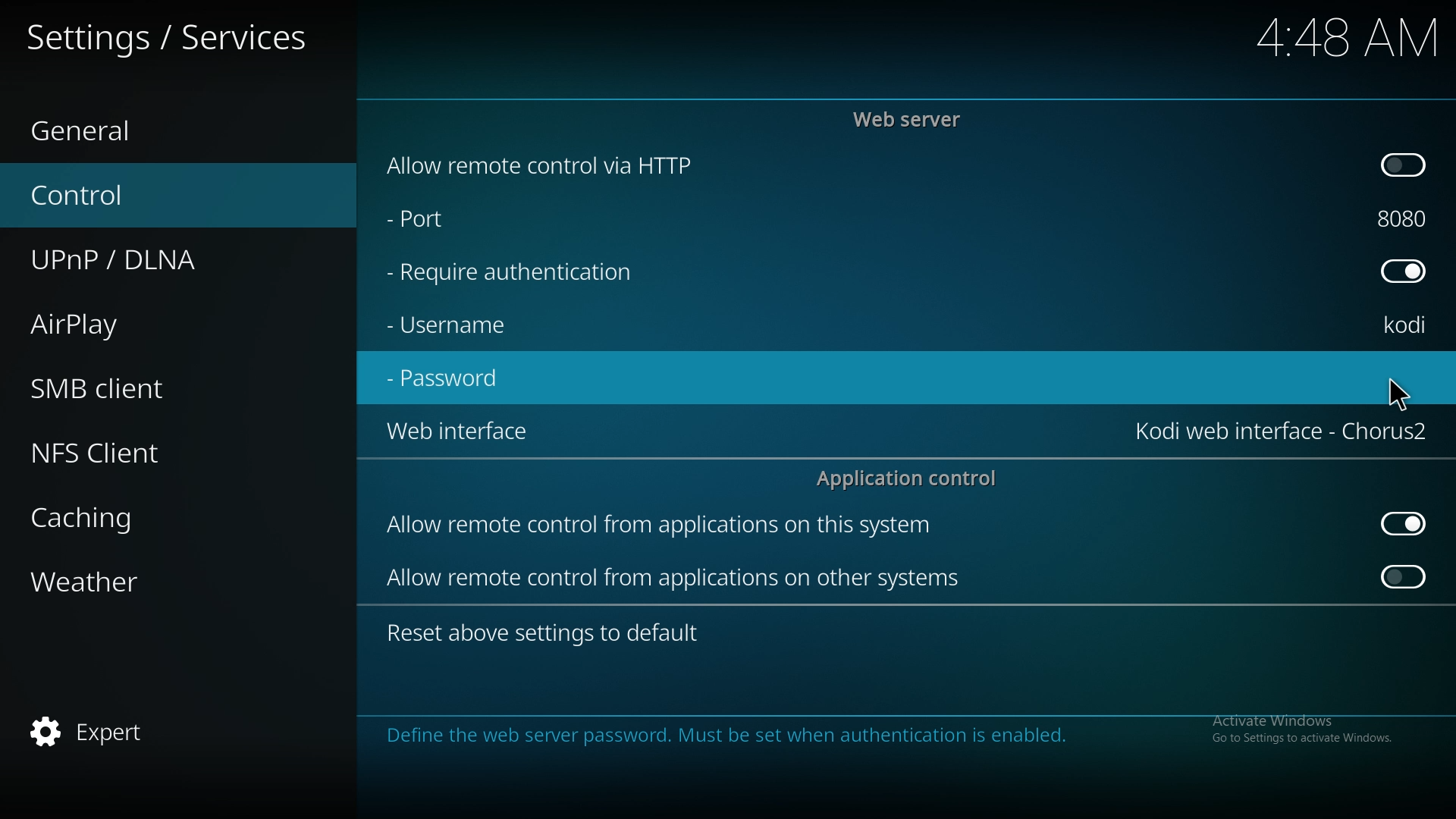  Describe the element at coordinates (452, 222) in the screenshot. I see `port` at that location.